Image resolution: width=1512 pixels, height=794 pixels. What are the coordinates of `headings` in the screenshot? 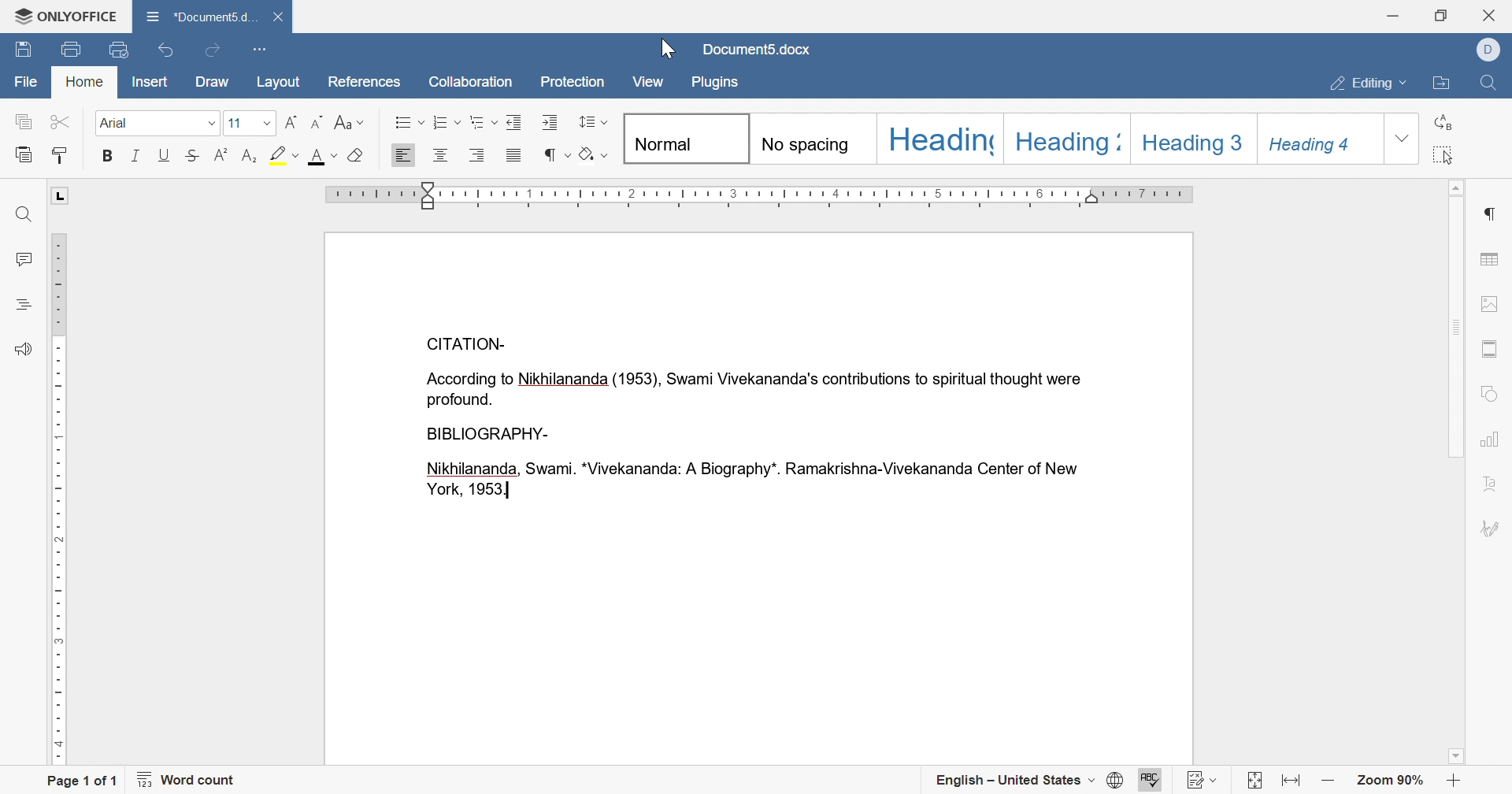 It's located at (24, 305).